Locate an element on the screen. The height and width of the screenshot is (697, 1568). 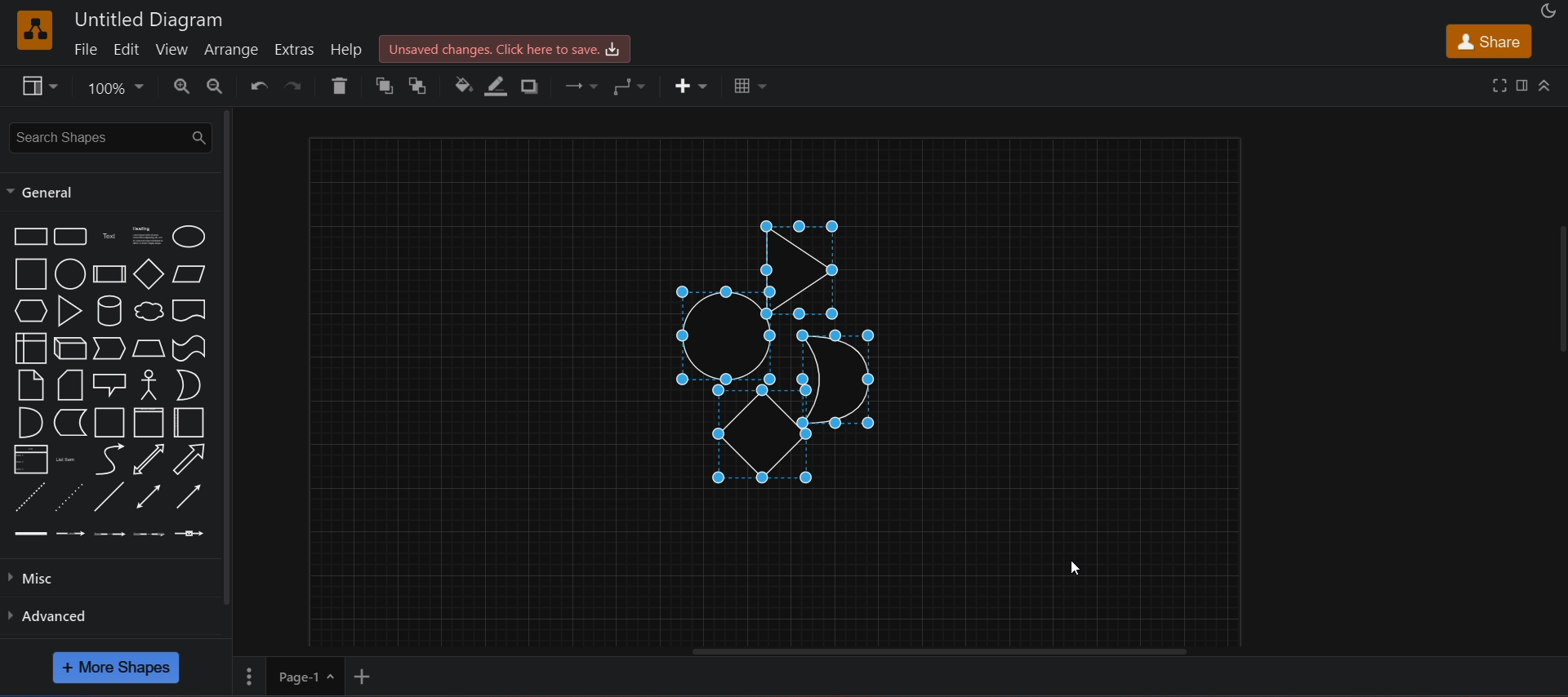
shapes are arranged horizontally is located at coordinates (785, 350).